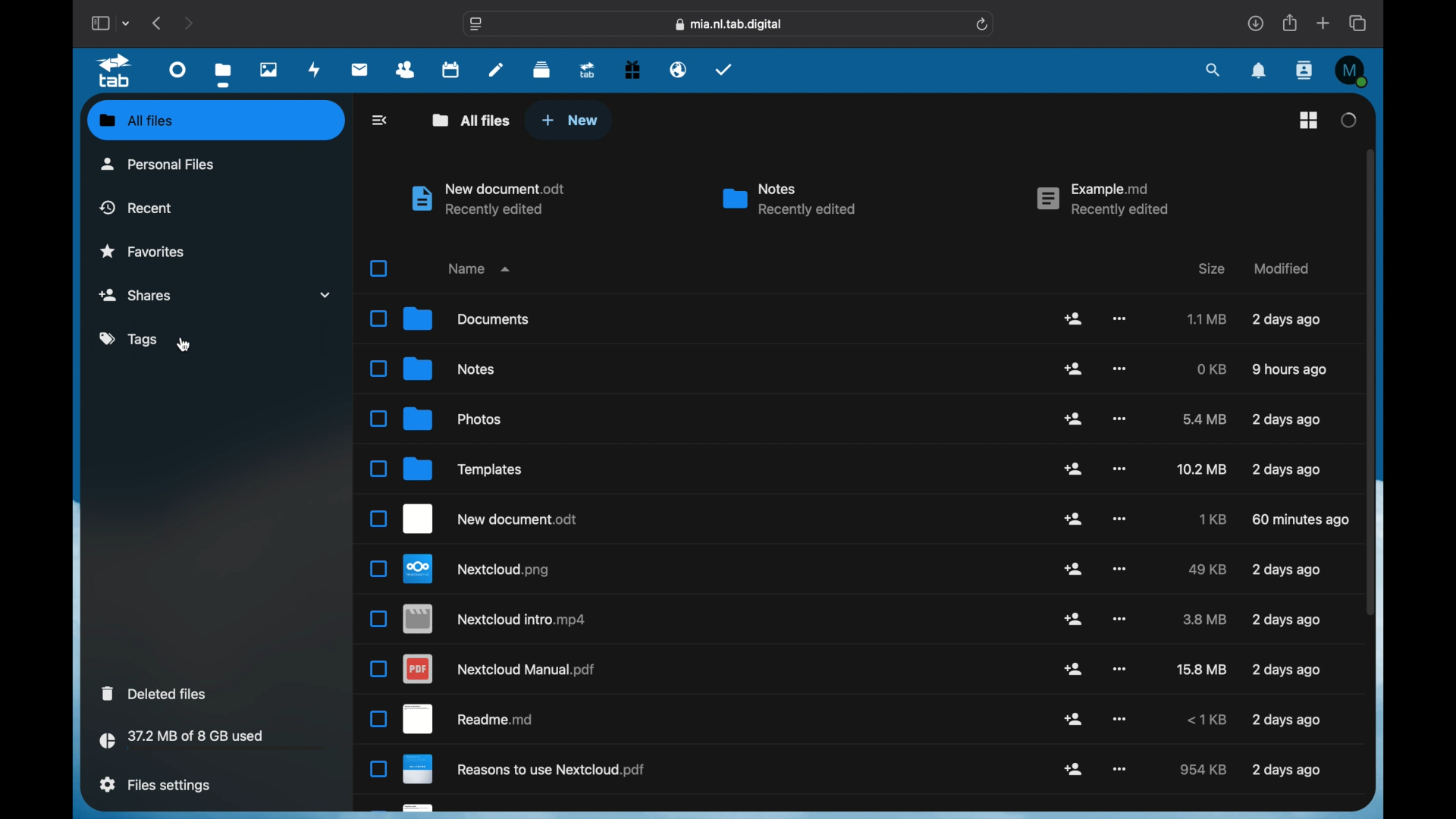 The width and height of the screenshot is (1456, 819). Describe the element at coordinates (1291, 23) in the screenshot. I see `share` at that location.